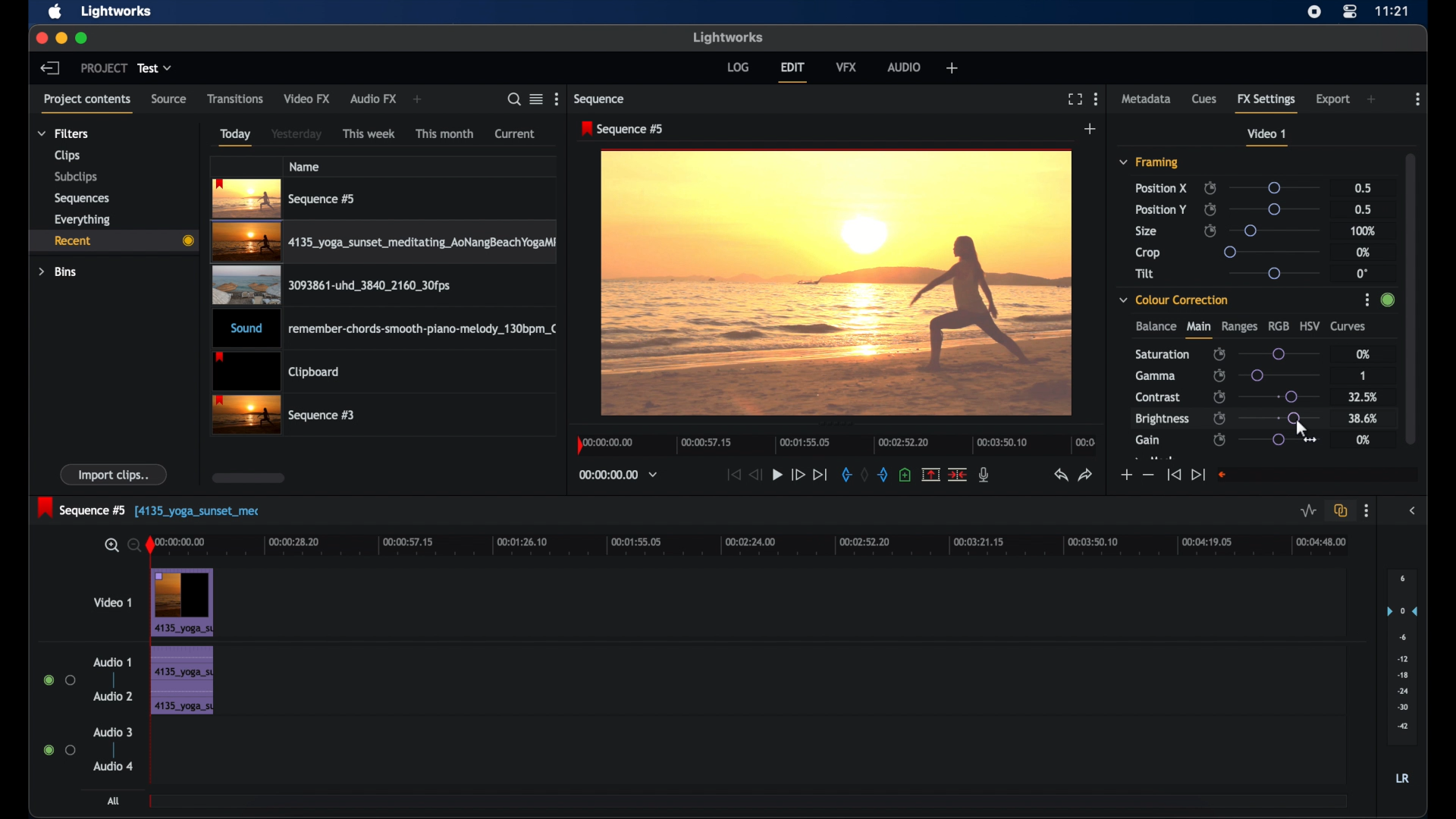  I want to click on in mark, so click(846, 477).